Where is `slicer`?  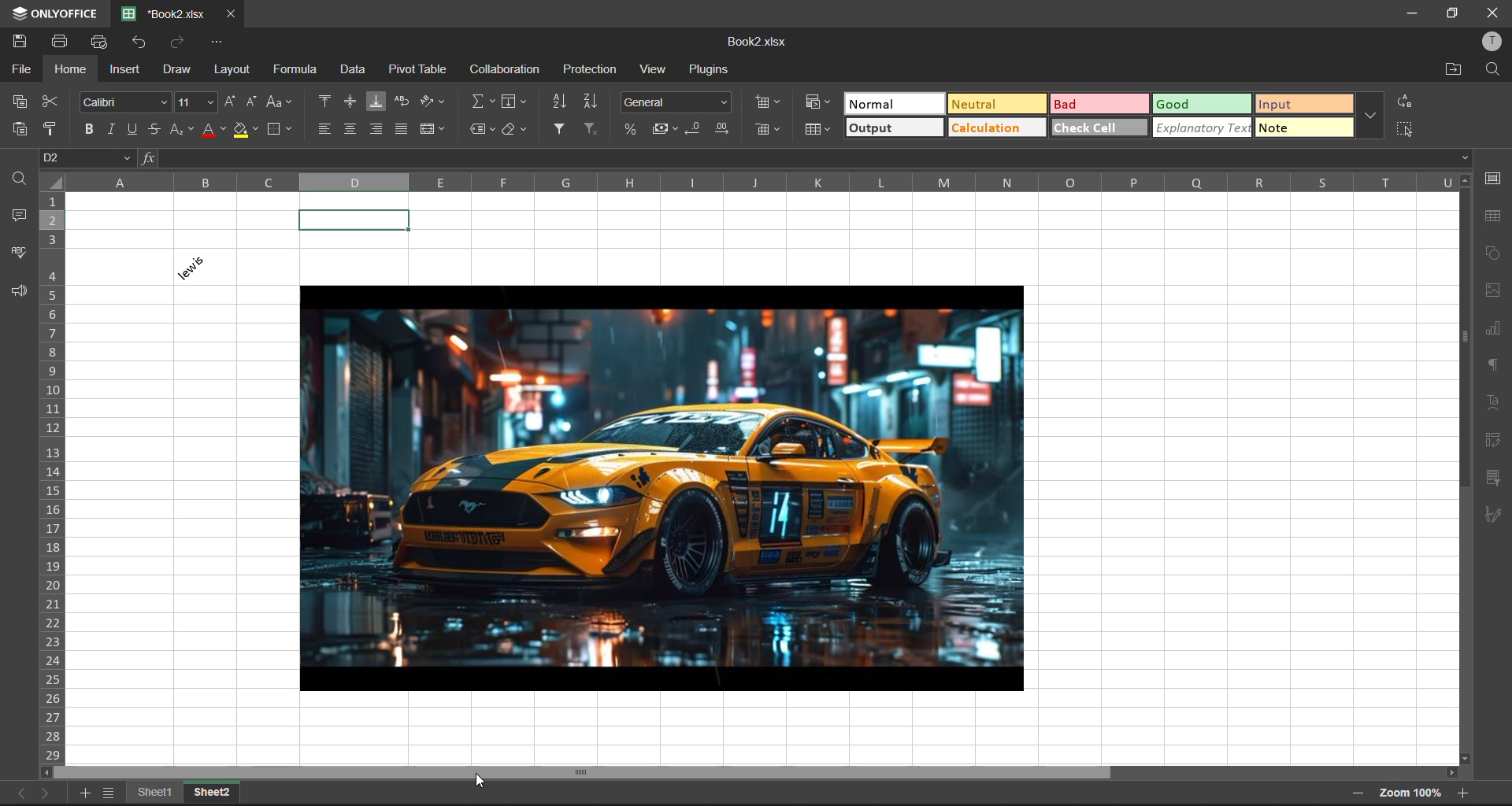 slicer is located at coordinates (1493, 478).